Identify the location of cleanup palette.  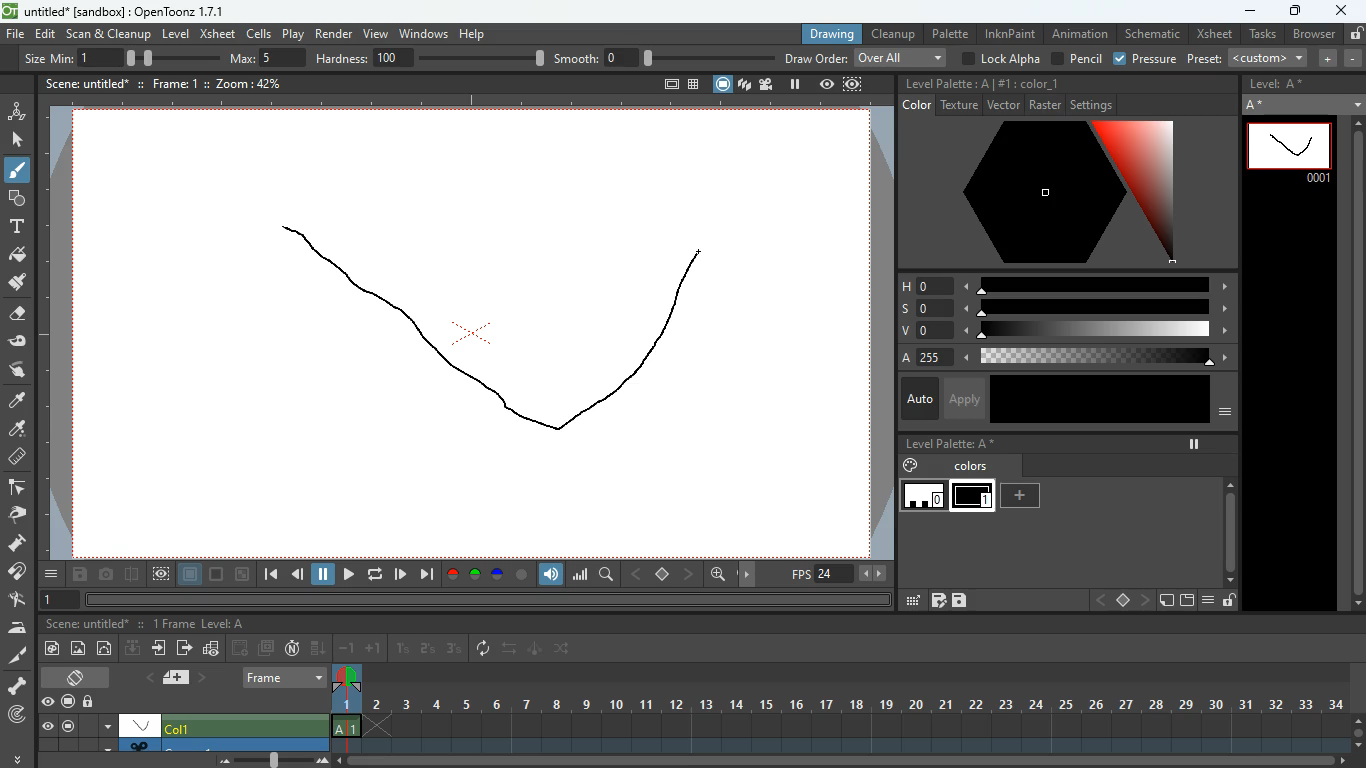
(947, 84).